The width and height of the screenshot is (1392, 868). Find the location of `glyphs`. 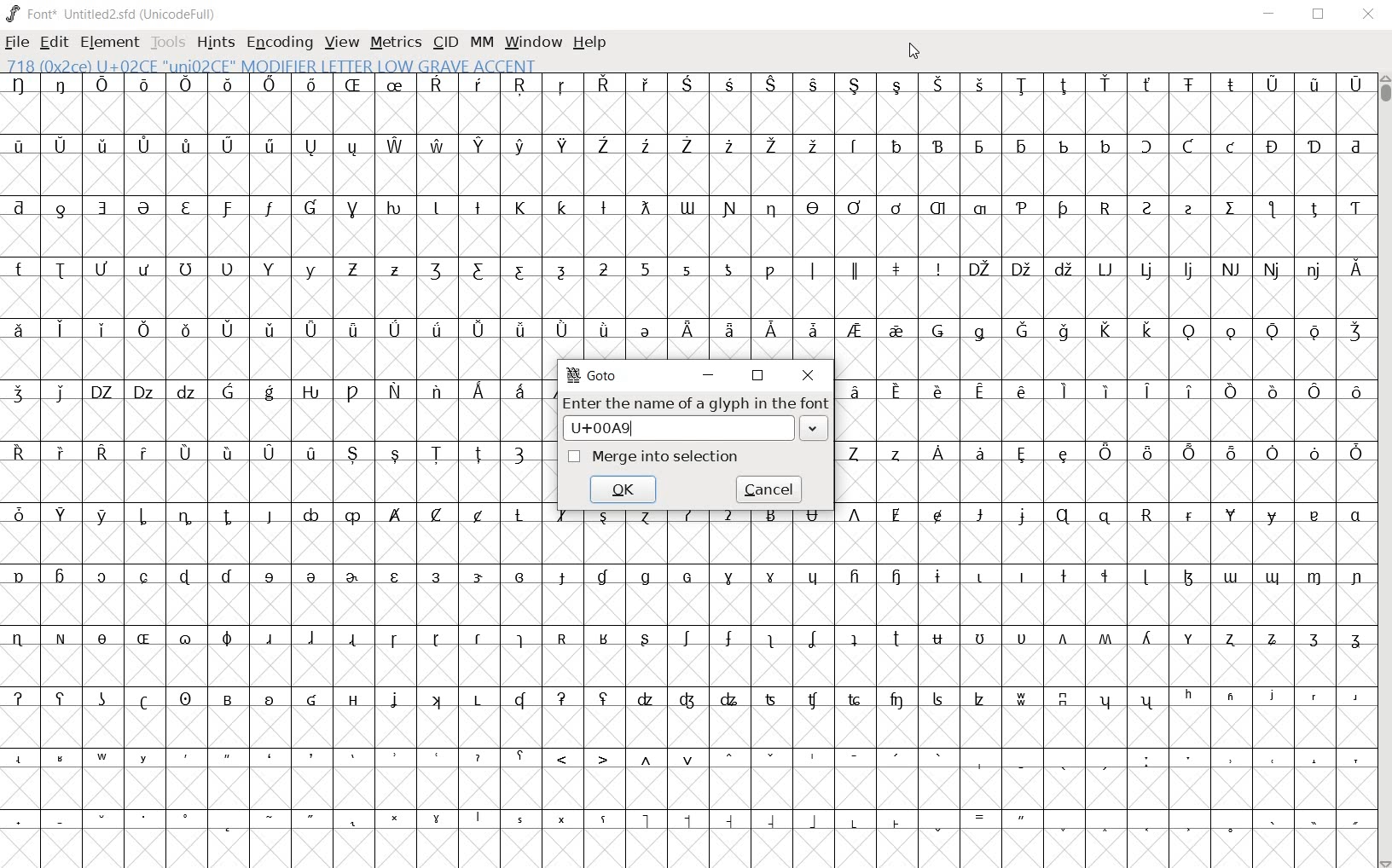

glyphs is located at coordinates (275, 472).